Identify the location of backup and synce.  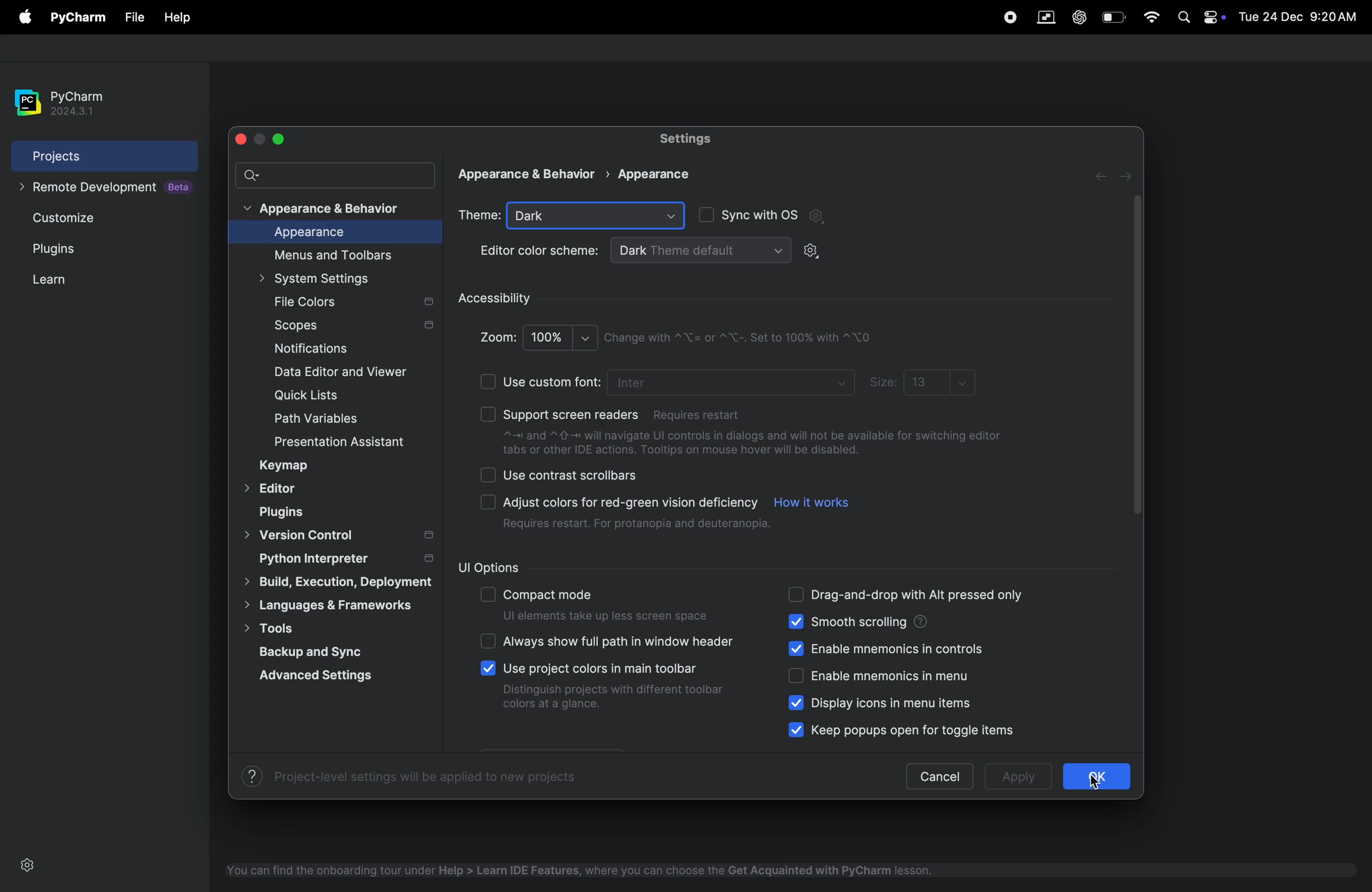
(326, 650).